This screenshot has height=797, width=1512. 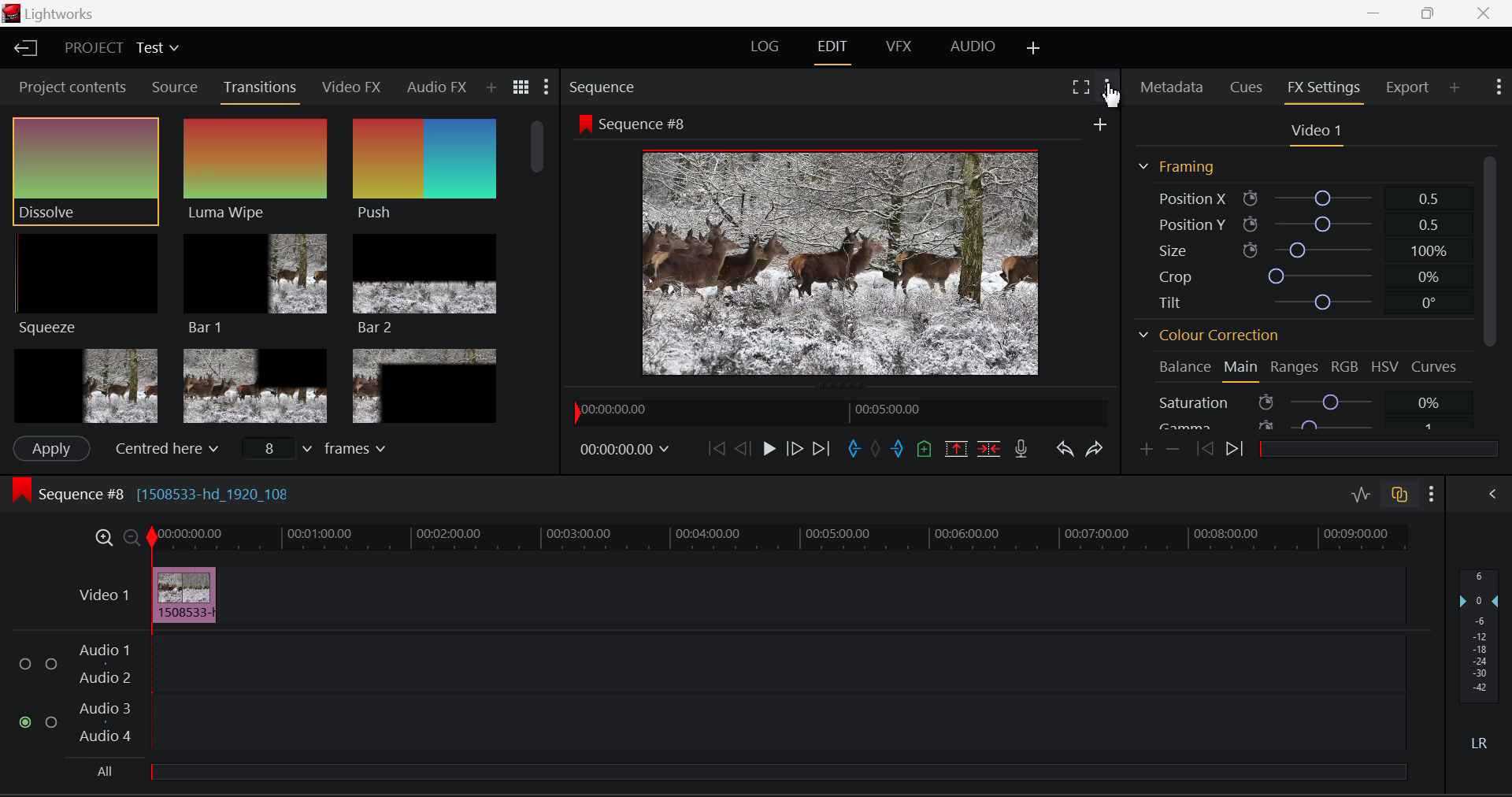 I want to click on Add, so click(x=1105, y=125).